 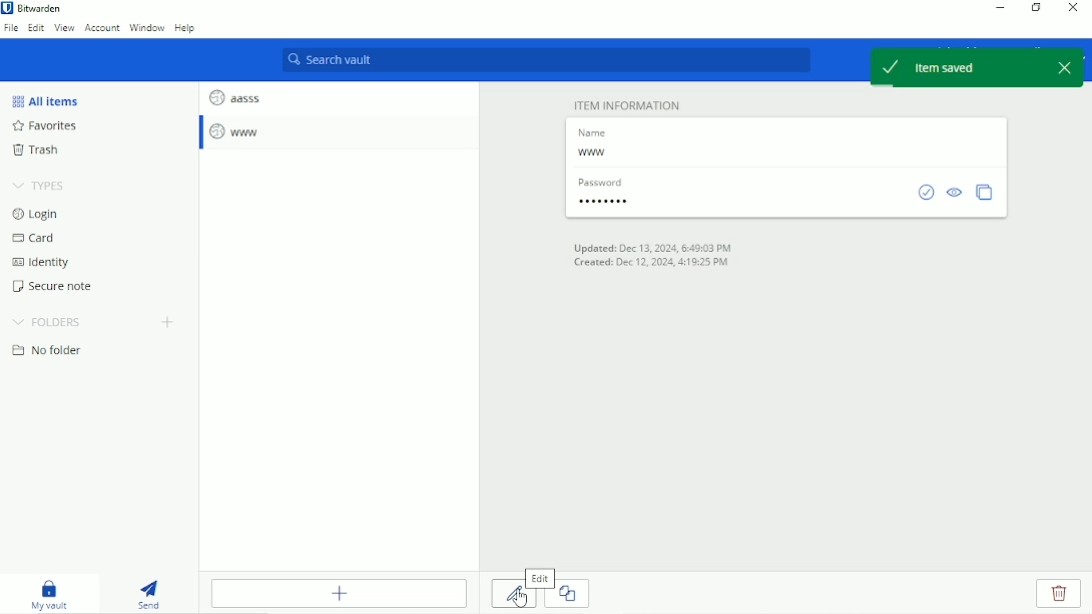 What do you see at coordinates (42, 185) in the screenshot?
I see `Types` at bounding box center [42, 185].